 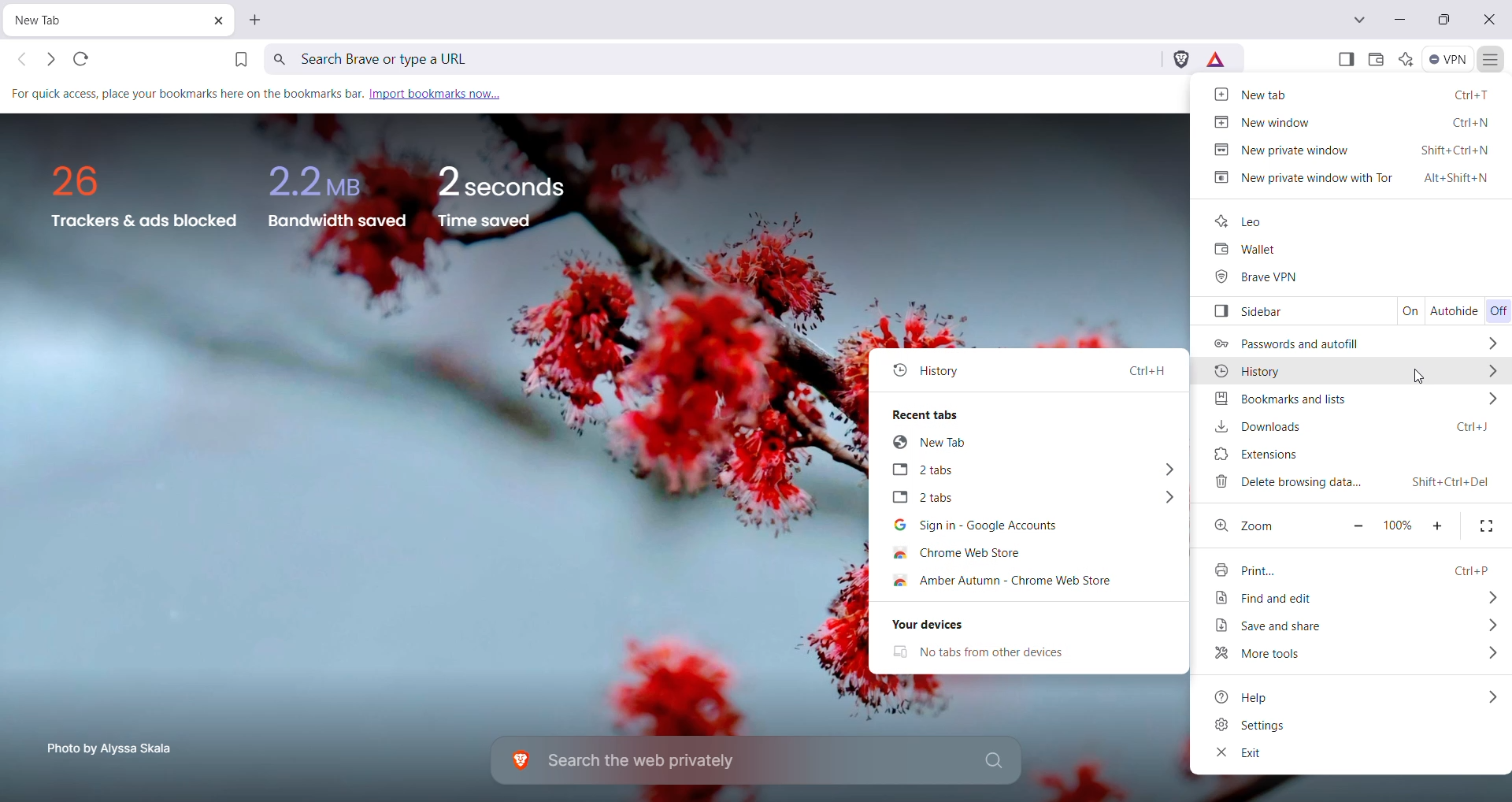 What do you see at coordinates (1439, 525) in the screenshot?
I see `Make Text Larger` at bounding box center [1439, 525].